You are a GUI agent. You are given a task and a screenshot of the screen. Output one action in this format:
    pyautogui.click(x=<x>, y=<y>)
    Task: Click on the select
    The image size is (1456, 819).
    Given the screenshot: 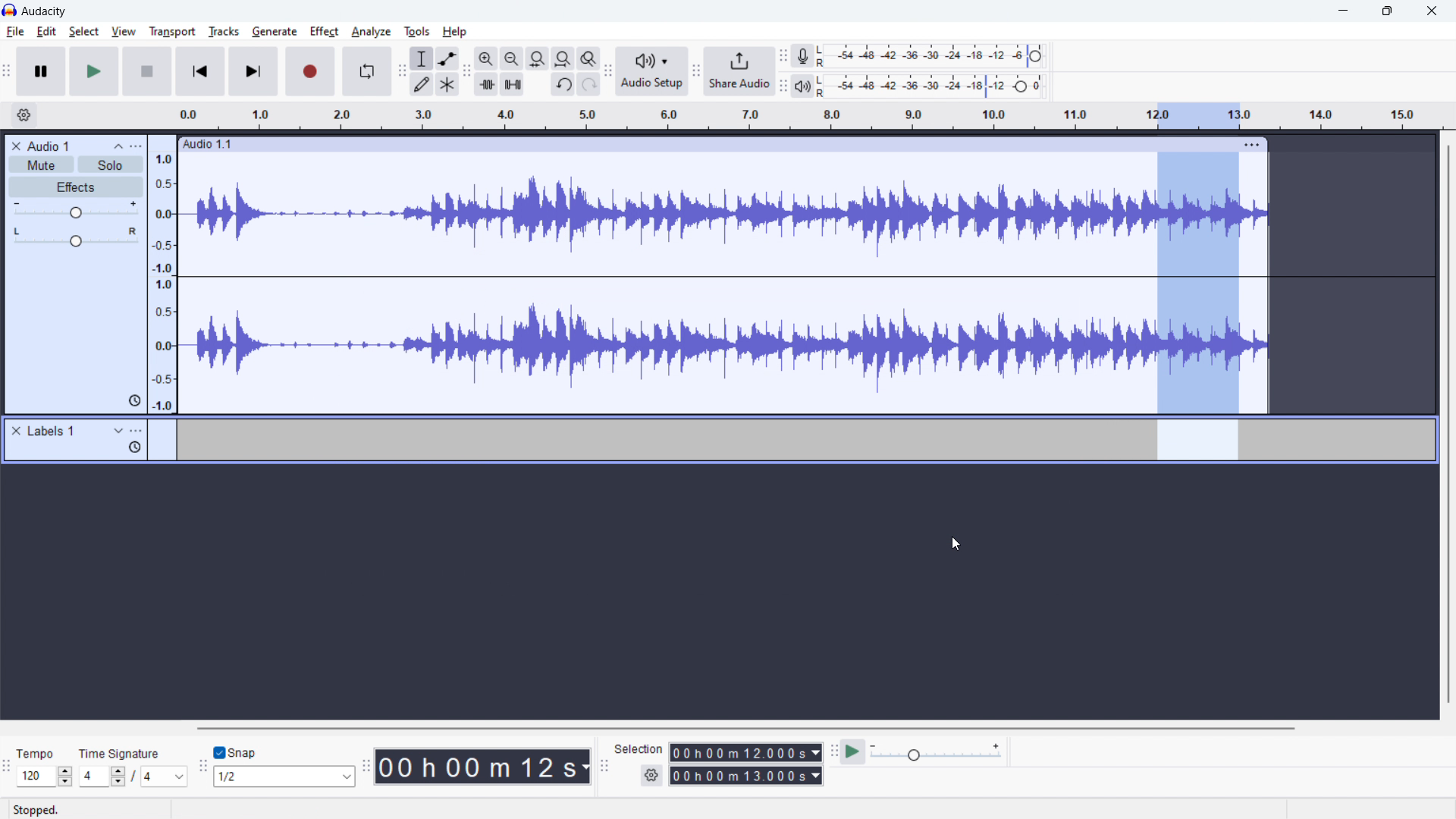 What is the action you would take?
    pyautogui.click(x=83, y=31)
    